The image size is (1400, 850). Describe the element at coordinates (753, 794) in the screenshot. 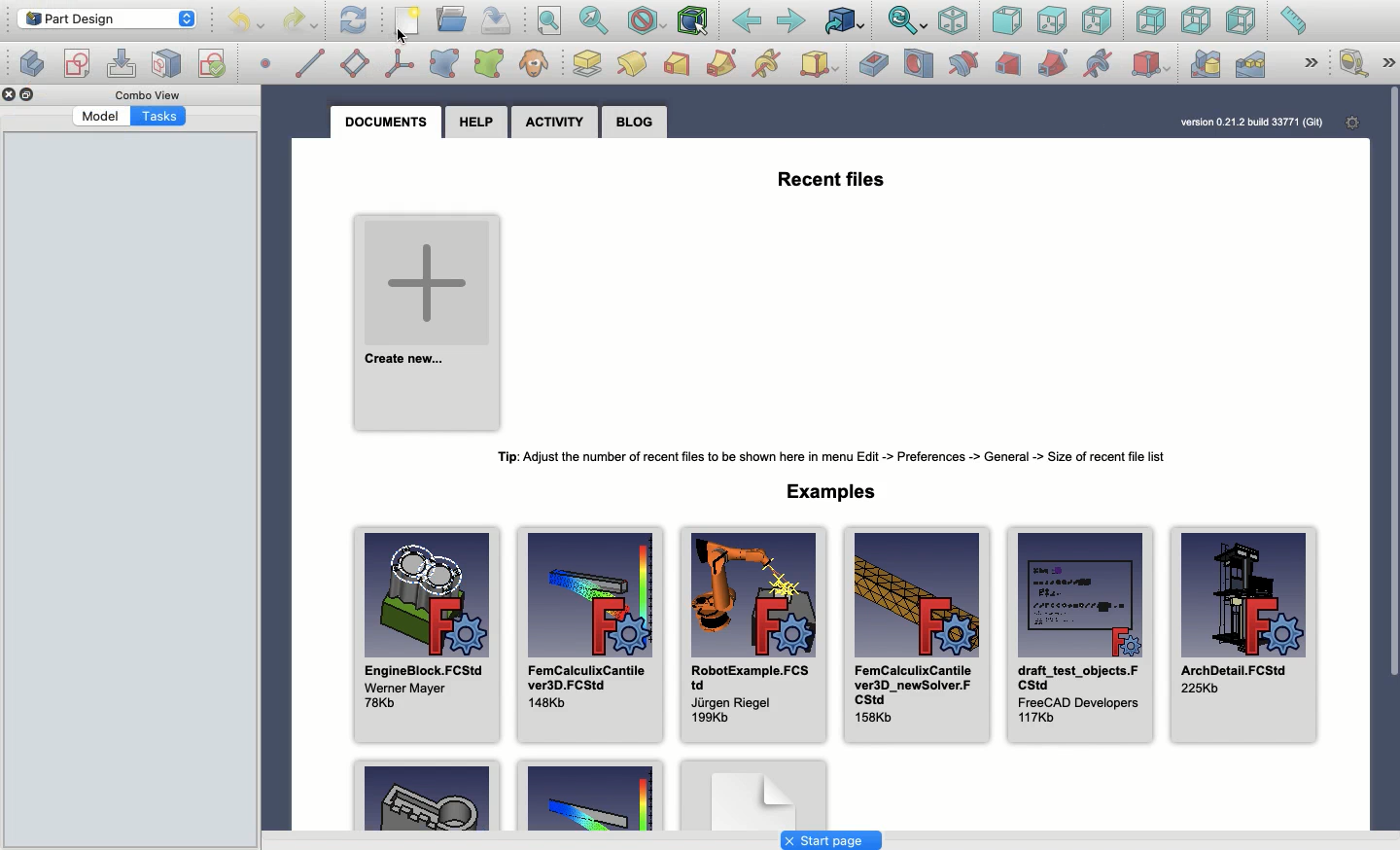

I see `Example 3` at that location.